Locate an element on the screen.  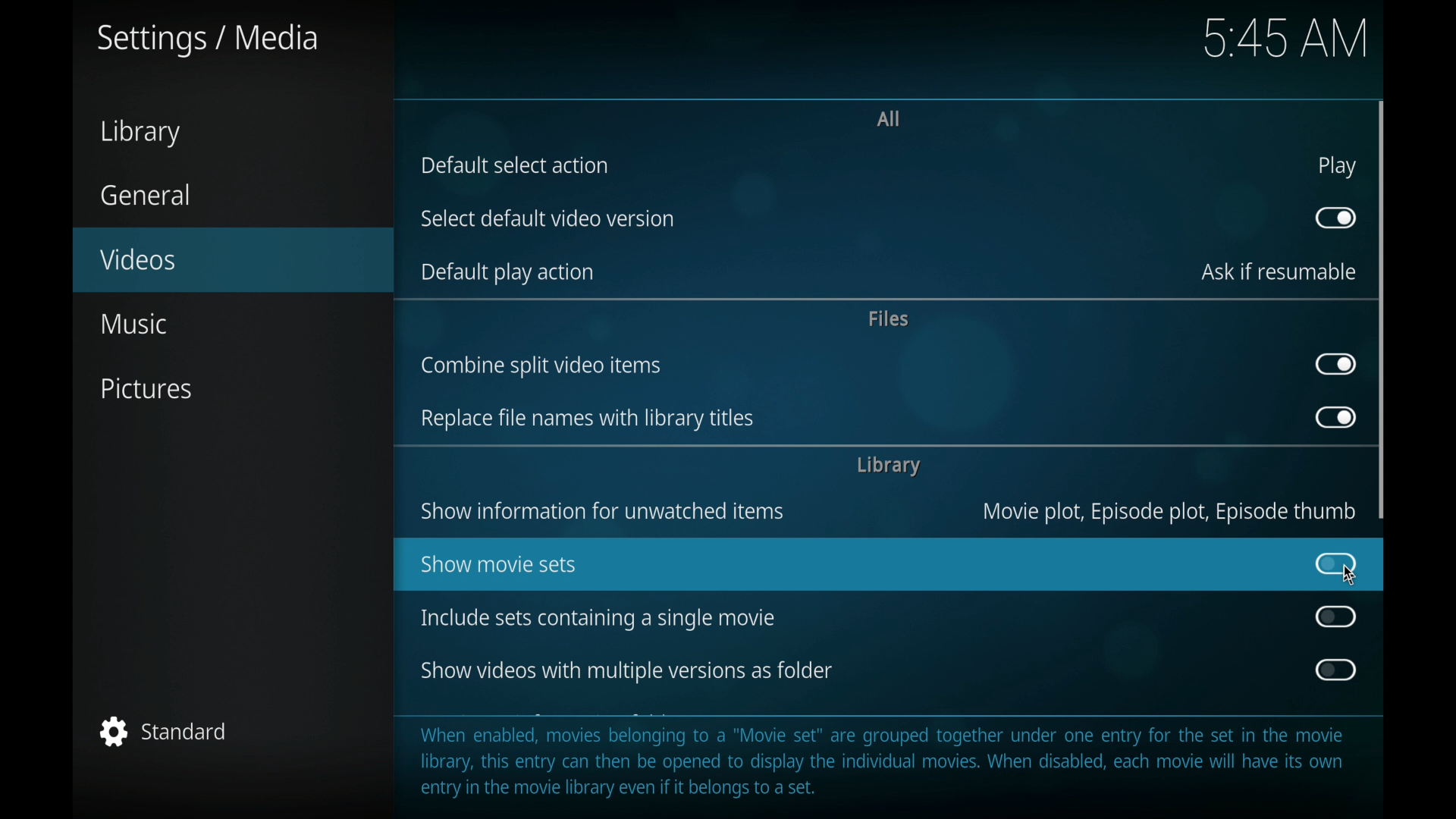
pictures is located at coordinates (149, 391).